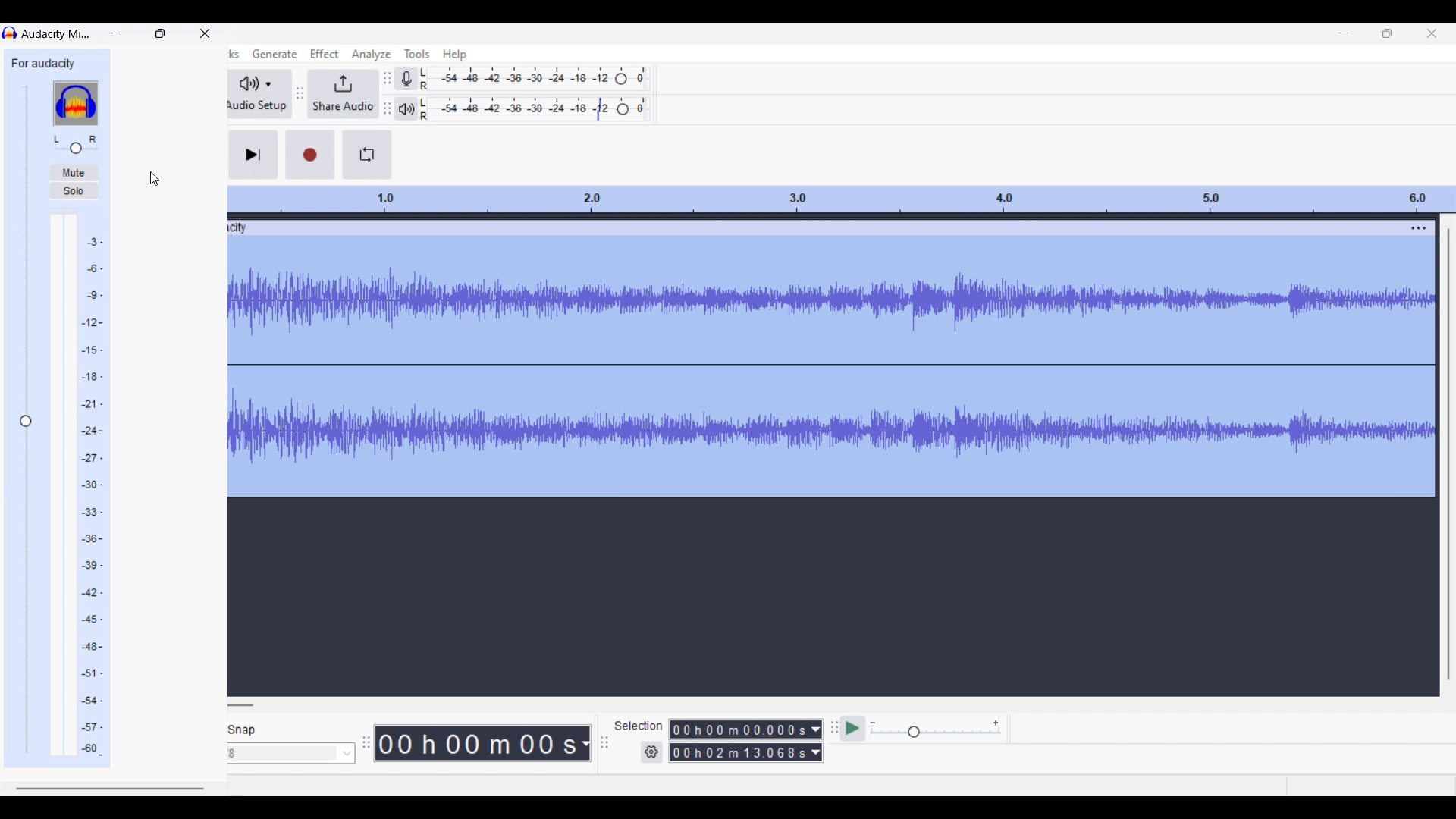  I want to click on Cursor position uchanged, so click(155, 179).